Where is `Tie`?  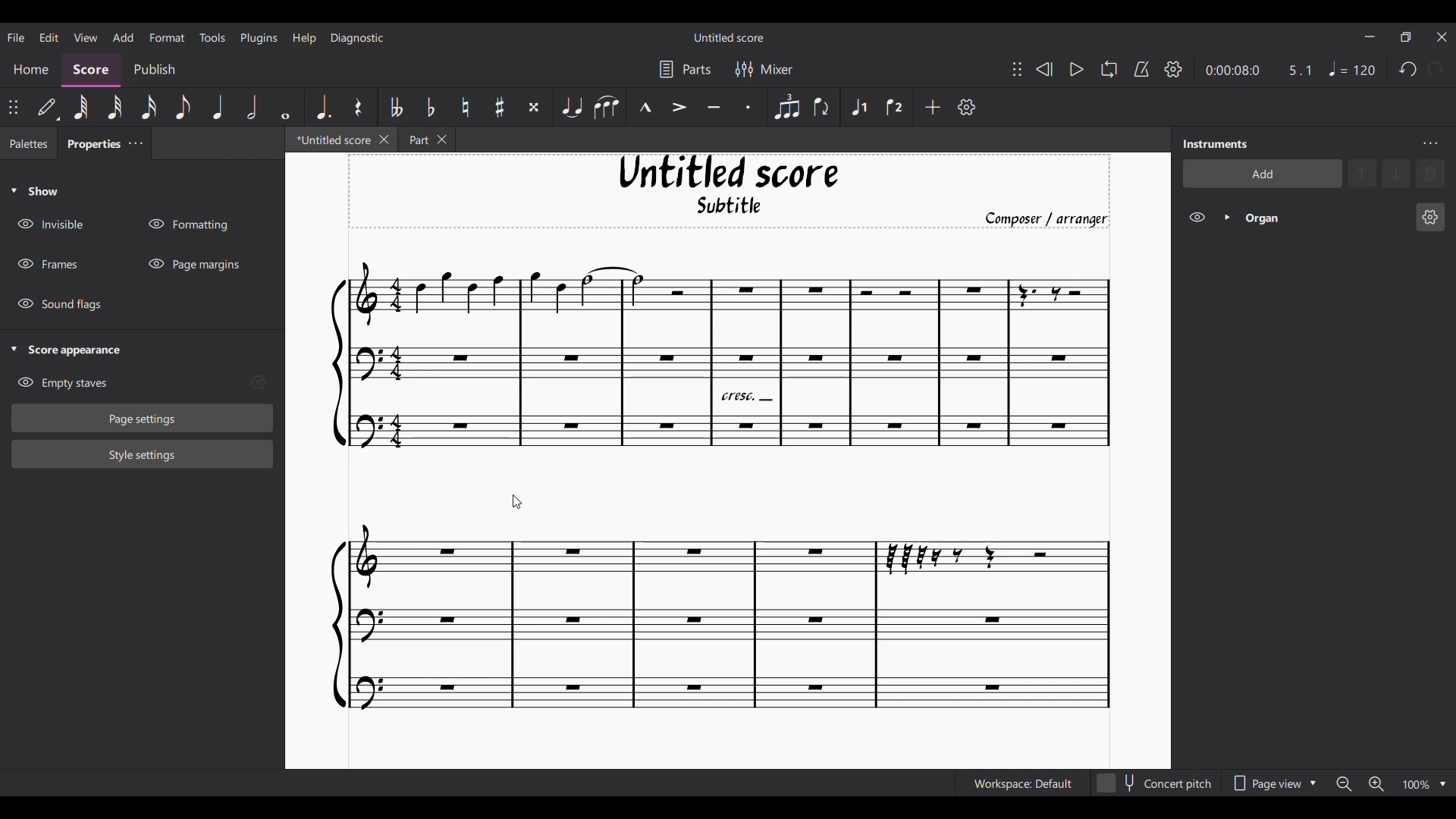
Tie is located at coordinates (571, 107).